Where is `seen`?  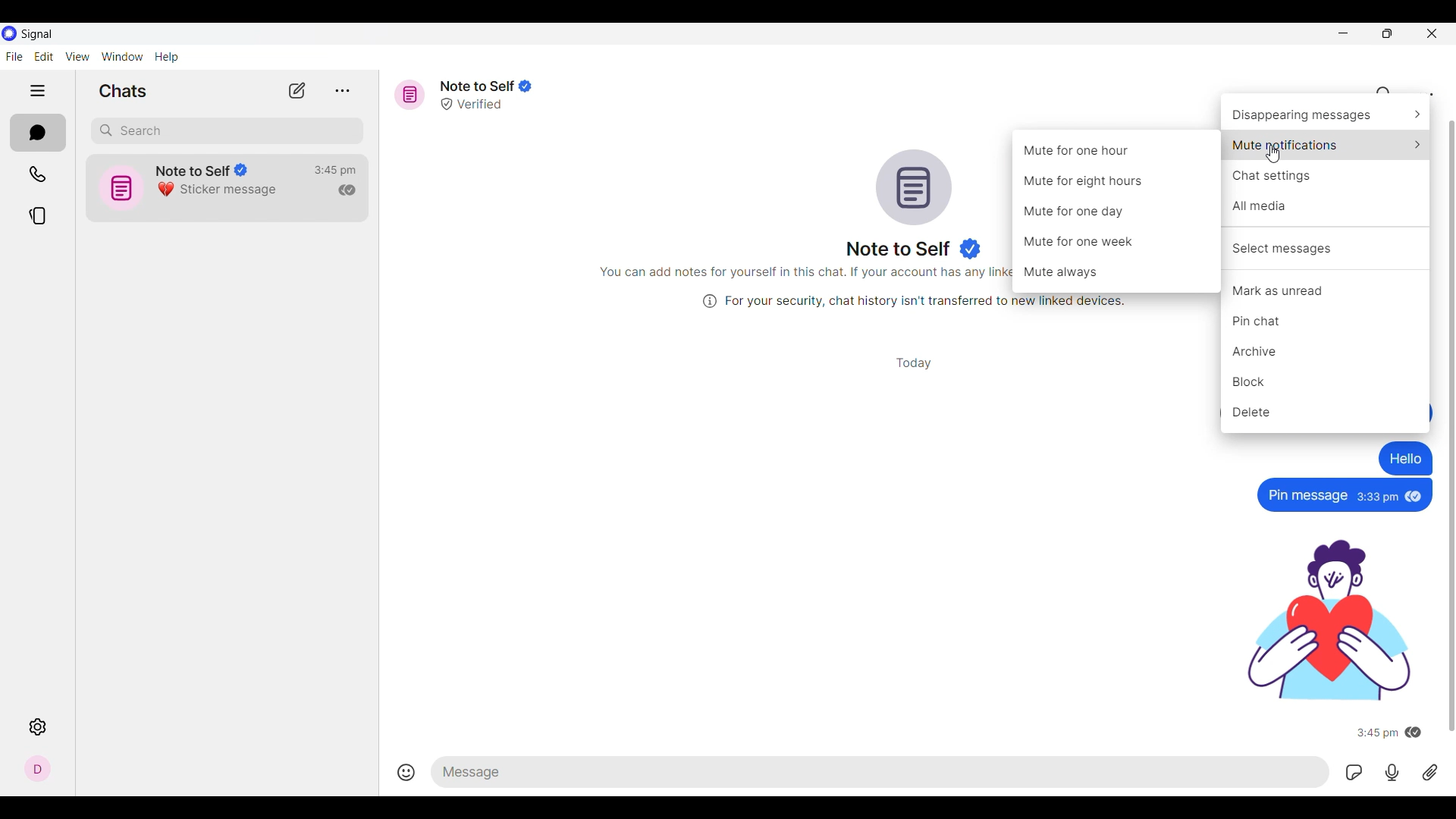
seen is located at coordinates (1415, 733).